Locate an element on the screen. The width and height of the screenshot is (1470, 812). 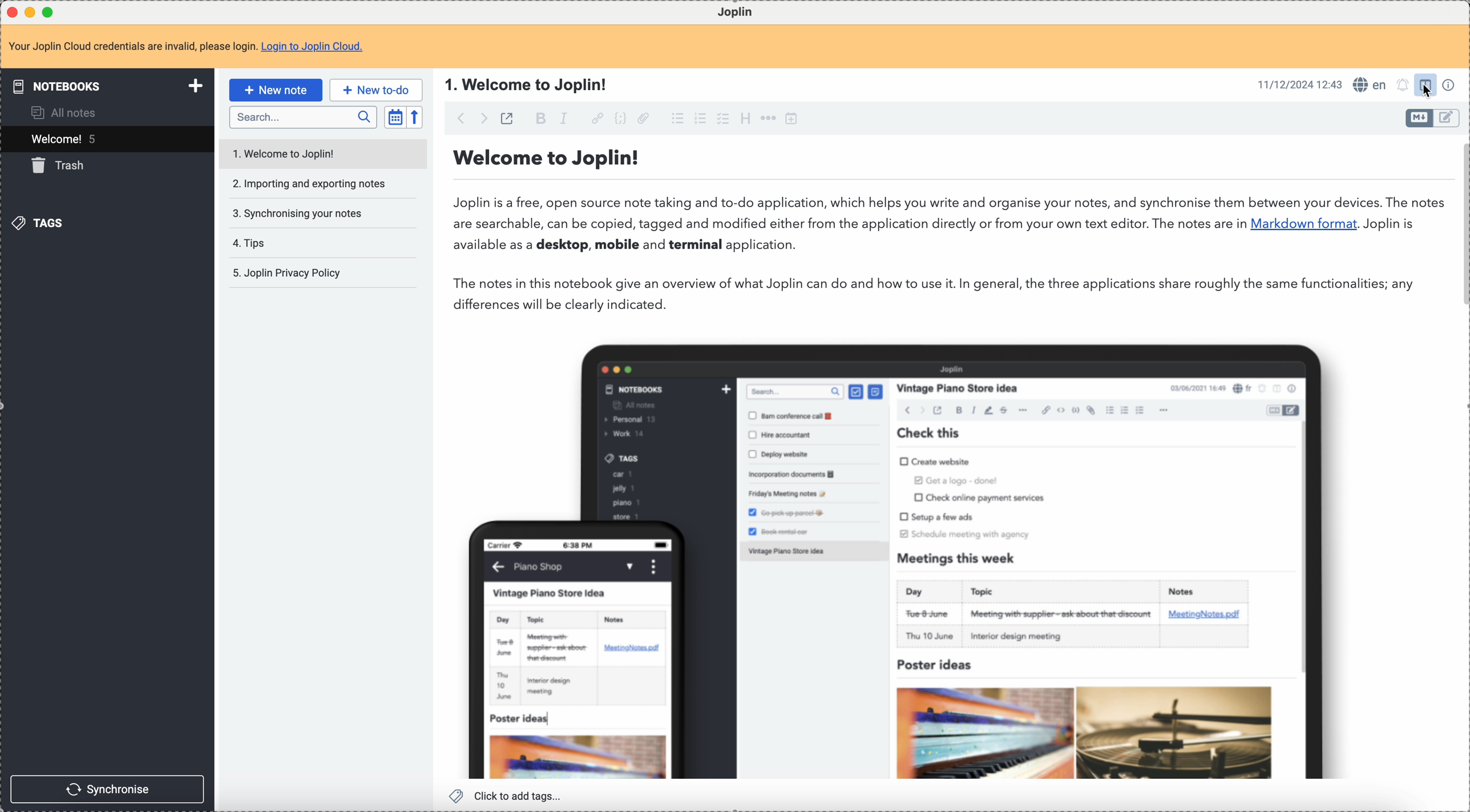
bold is located at coordinates (539, 117).